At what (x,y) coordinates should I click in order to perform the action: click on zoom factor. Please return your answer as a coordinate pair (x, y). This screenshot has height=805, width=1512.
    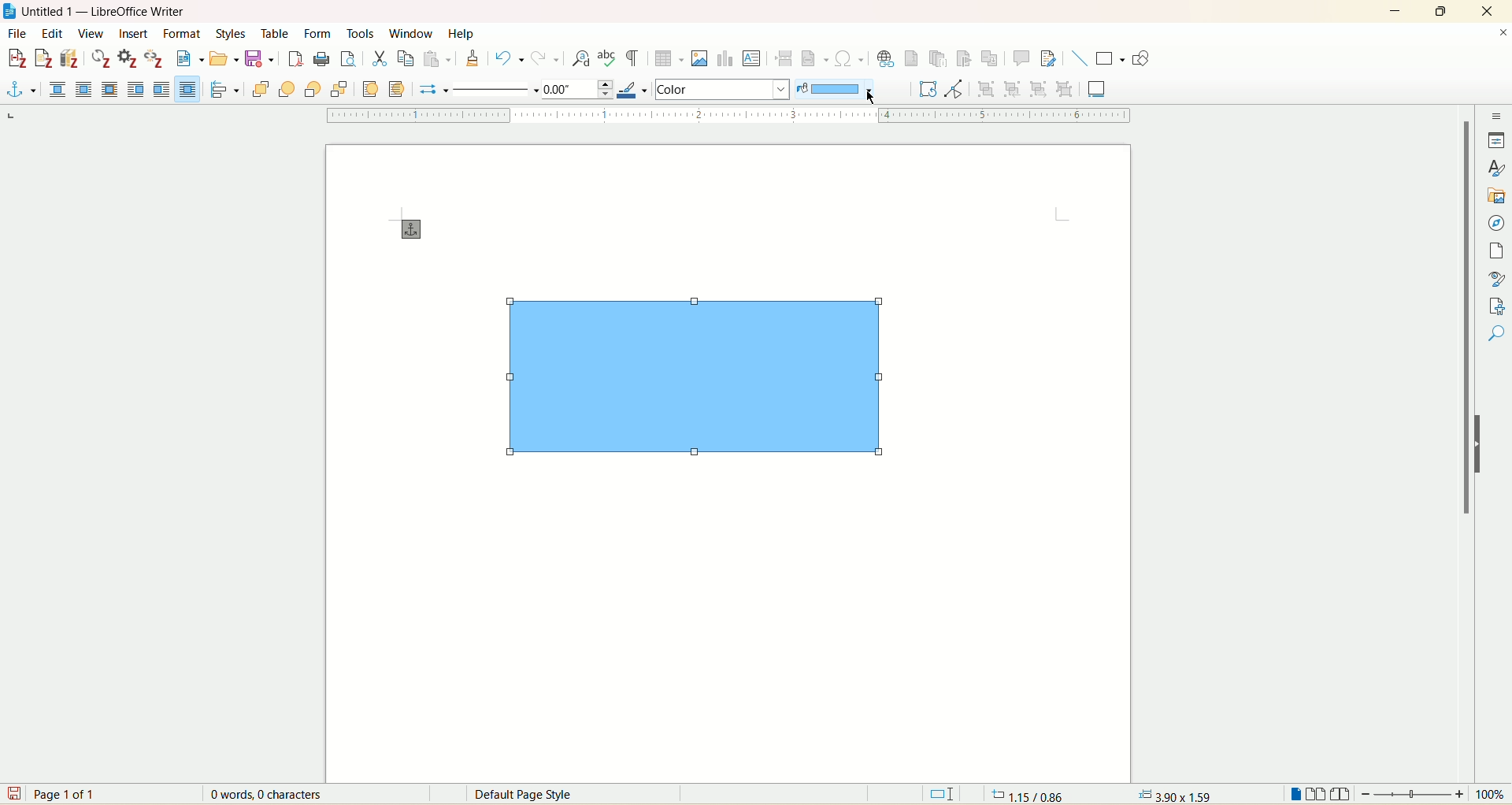
    Looking at the image, I should click on (1435, 795).